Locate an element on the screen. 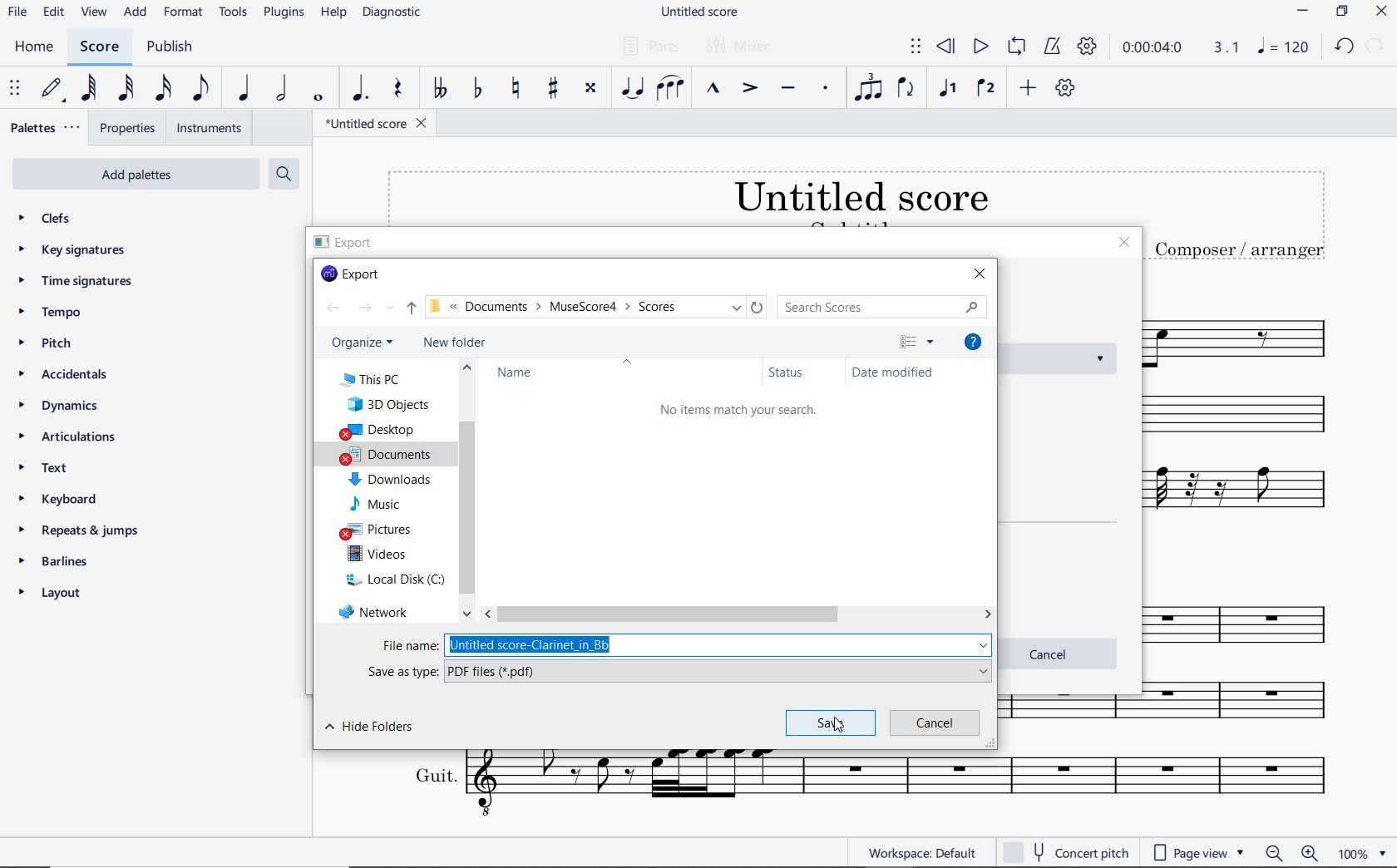  ADD is located at coordinates (136, 13).